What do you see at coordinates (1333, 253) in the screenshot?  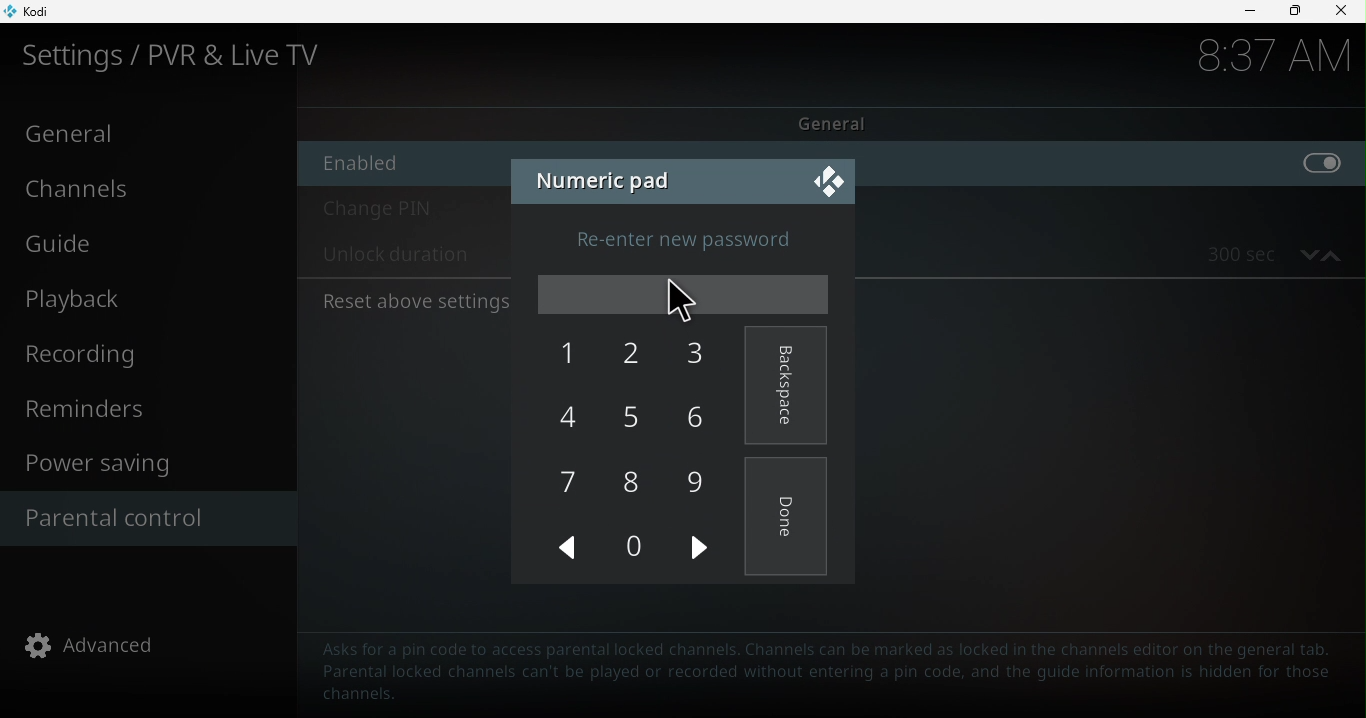 I see `increase` at bounding box center [1333, 253].